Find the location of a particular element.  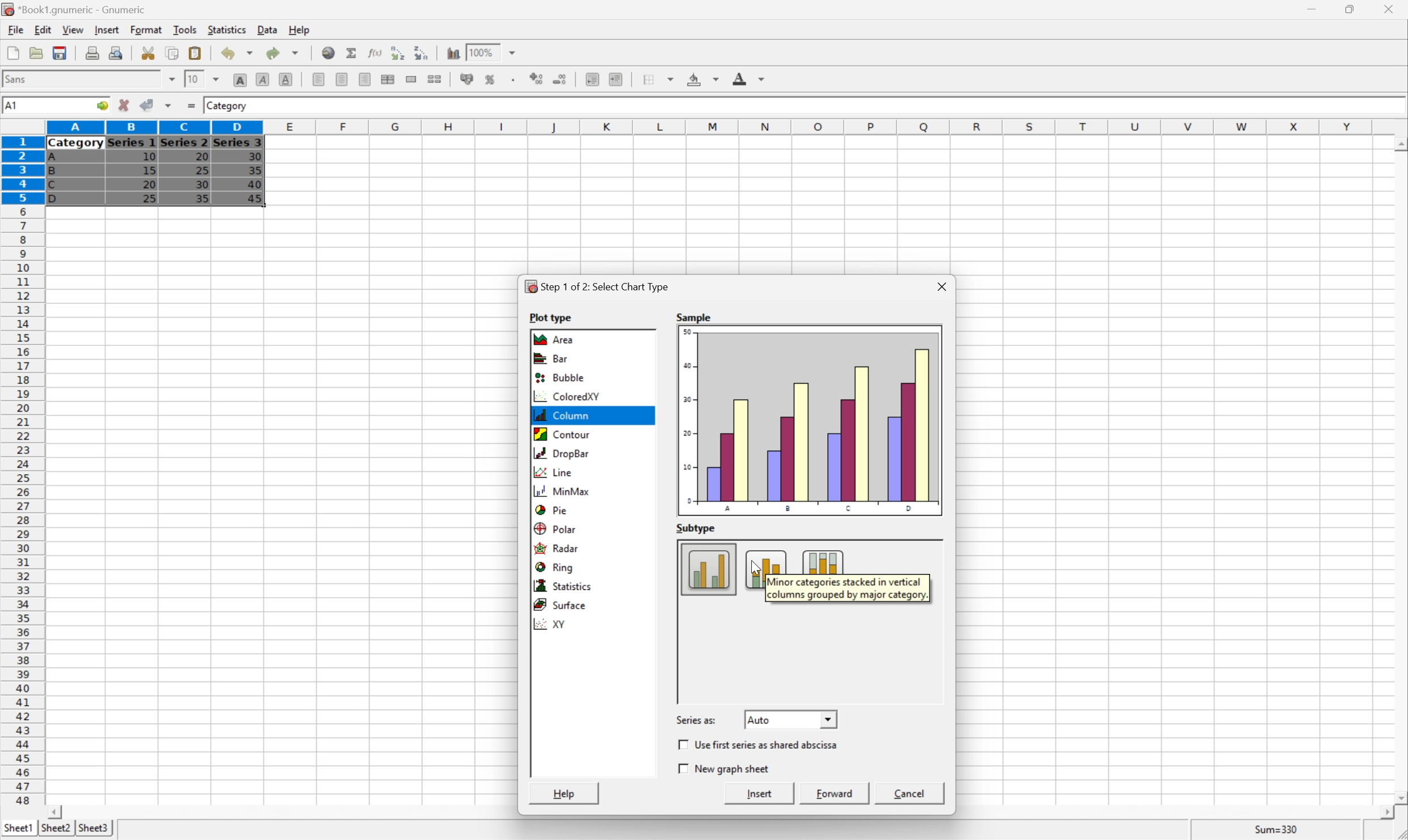

Line is located at coordinates (552, 474).